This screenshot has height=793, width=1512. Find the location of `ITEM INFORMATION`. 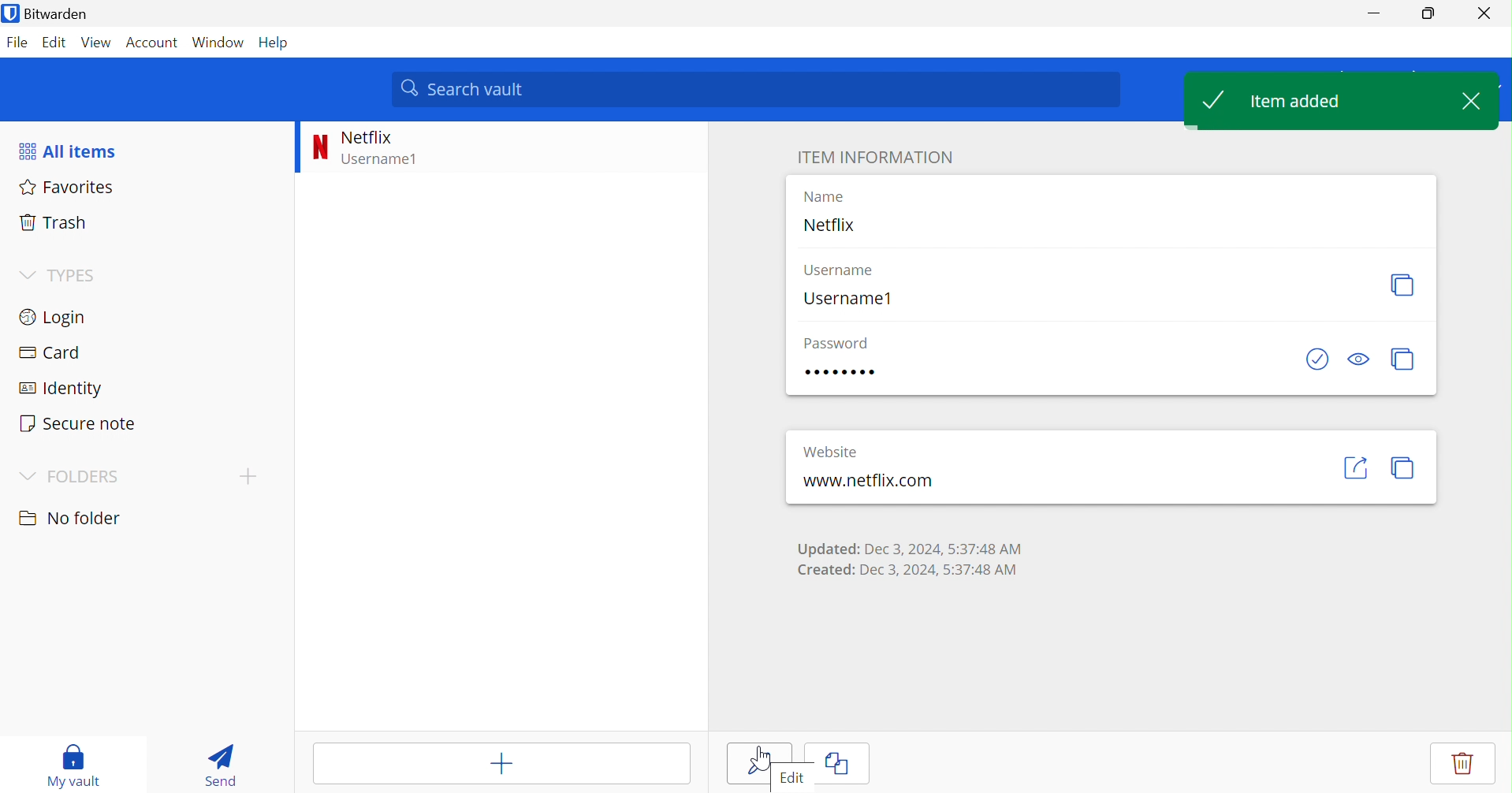

ITEM INFORMATION is located at coordinates (876, 158).